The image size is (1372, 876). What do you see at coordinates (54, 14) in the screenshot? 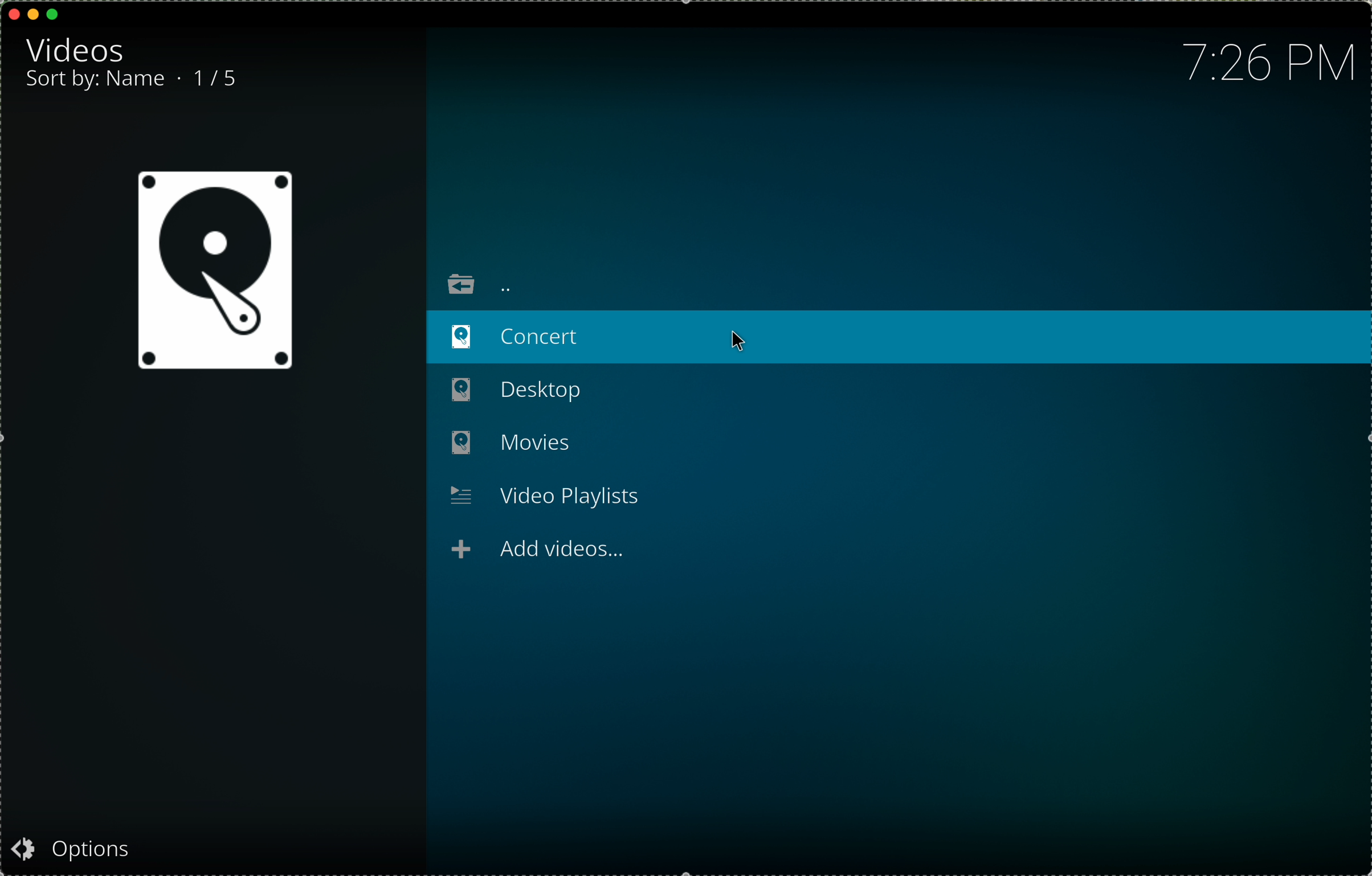
I see `maximise` at bounding box center [54, 14].